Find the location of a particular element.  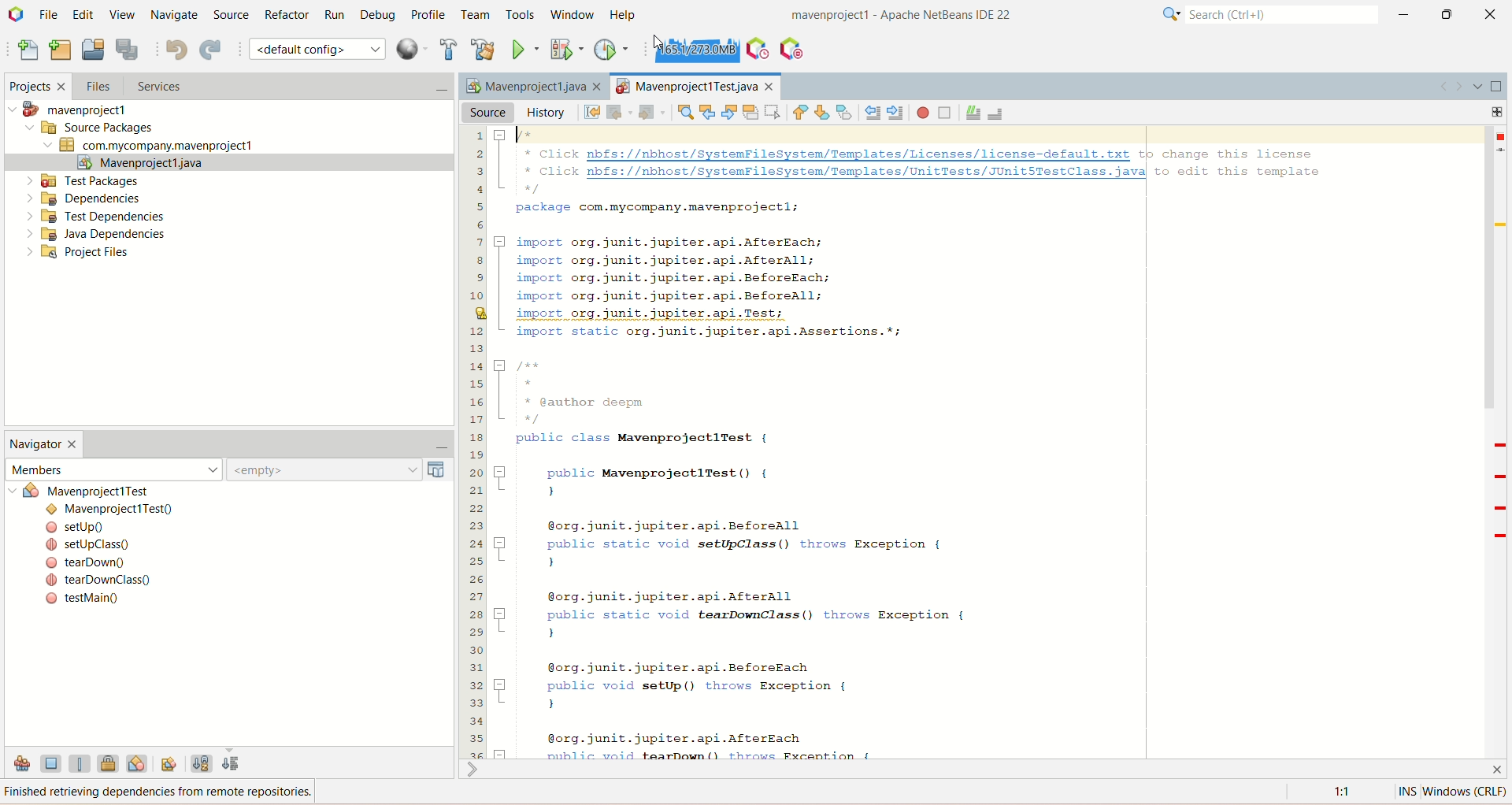

Finished retrieving dependencies from remote repositories is located at coordinates (160, 791).